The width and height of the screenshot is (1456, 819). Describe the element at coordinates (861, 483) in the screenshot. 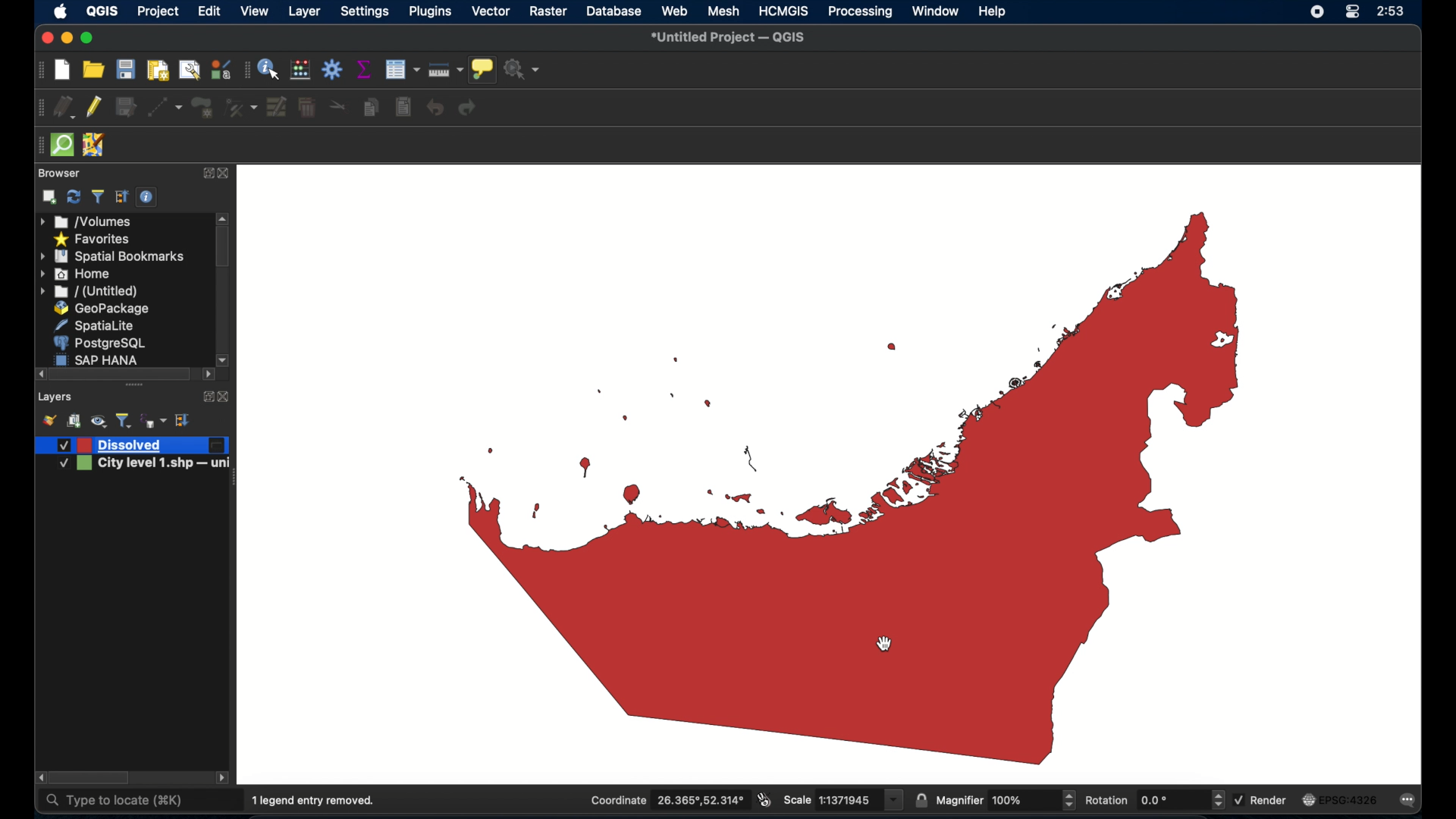

I see `boundary map of UAE` at that location.